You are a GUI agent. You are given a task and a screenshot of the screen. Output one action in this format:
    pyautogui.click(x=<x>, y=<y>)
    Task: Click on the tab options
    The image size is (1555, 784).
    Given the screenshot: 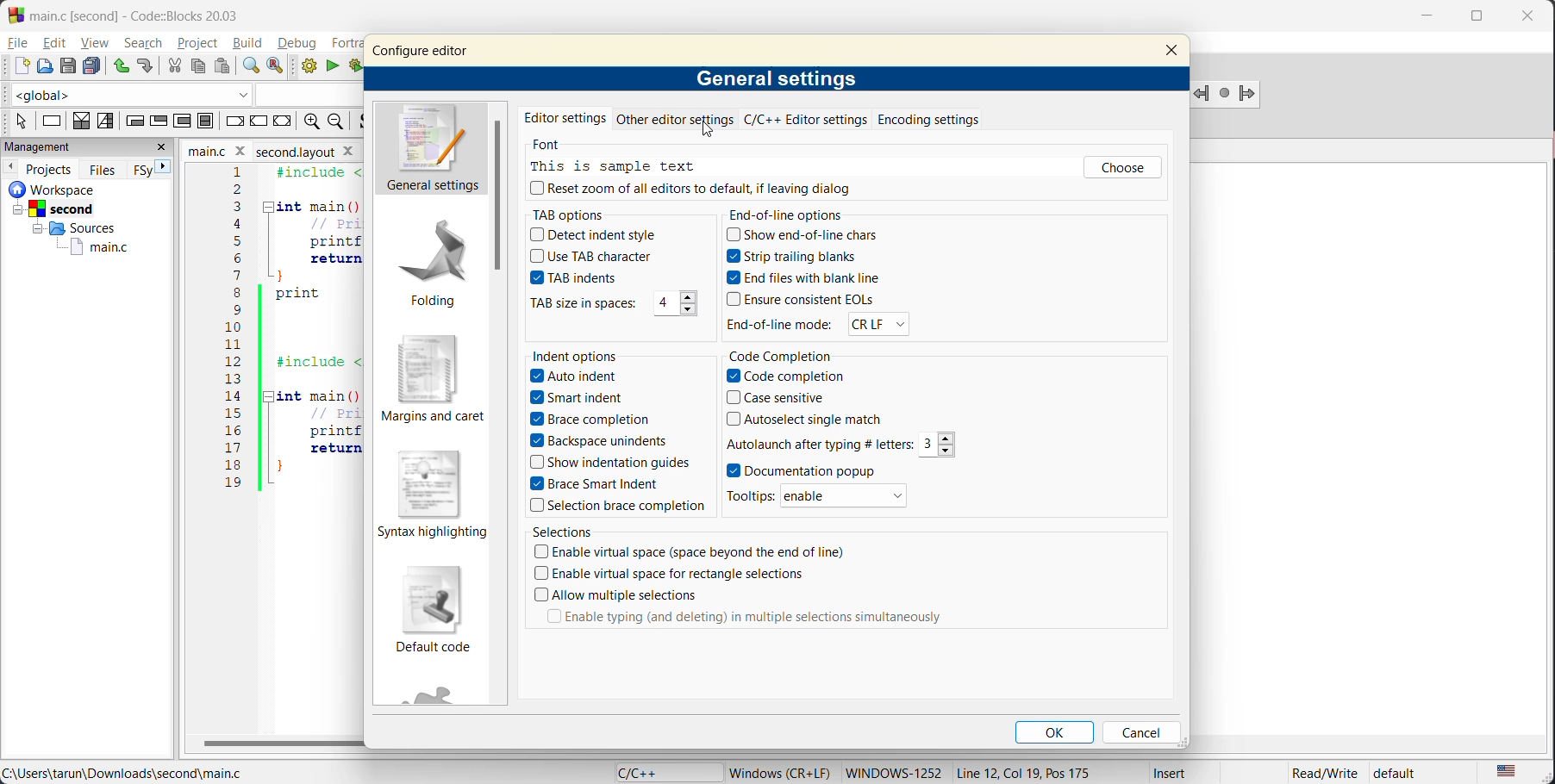 What is the action you would take?
    pyautogui.click(x=610, y=215)
    